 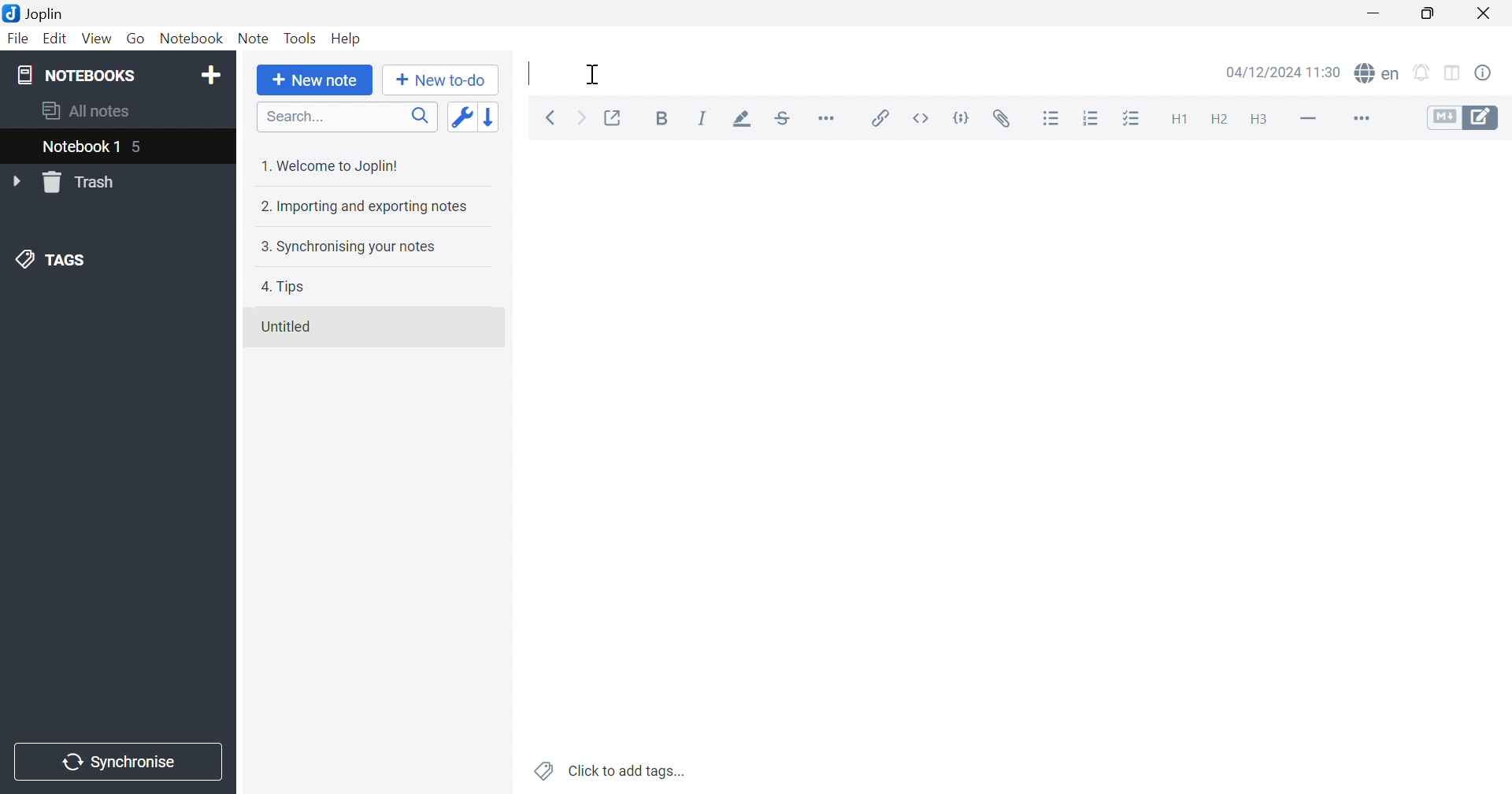 I want to click on Toggle sort order field, so click(x=459, y=117).